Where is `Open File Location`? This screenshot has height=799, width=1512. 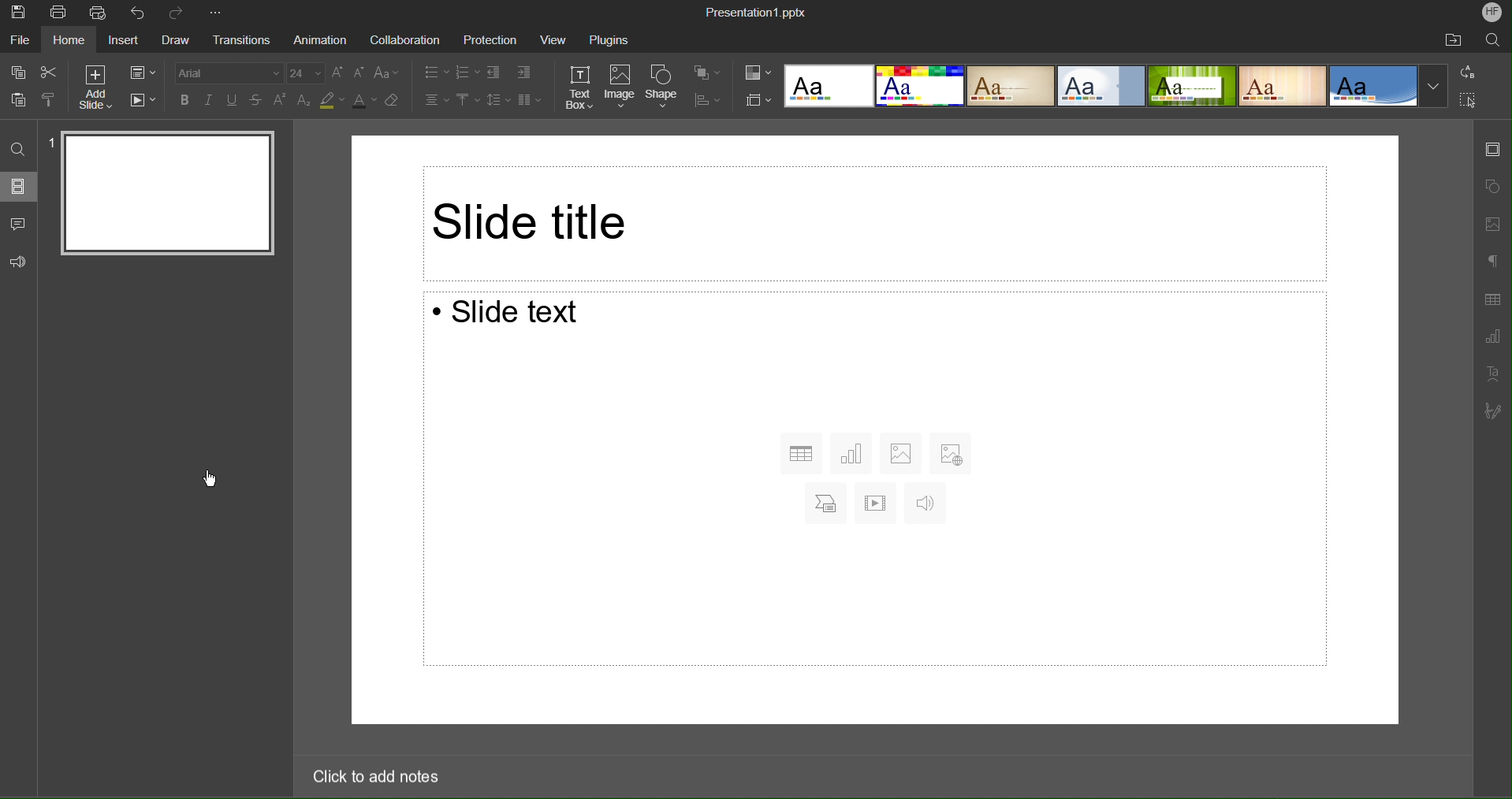
Open File Location is located at coordinates (1455, 39).